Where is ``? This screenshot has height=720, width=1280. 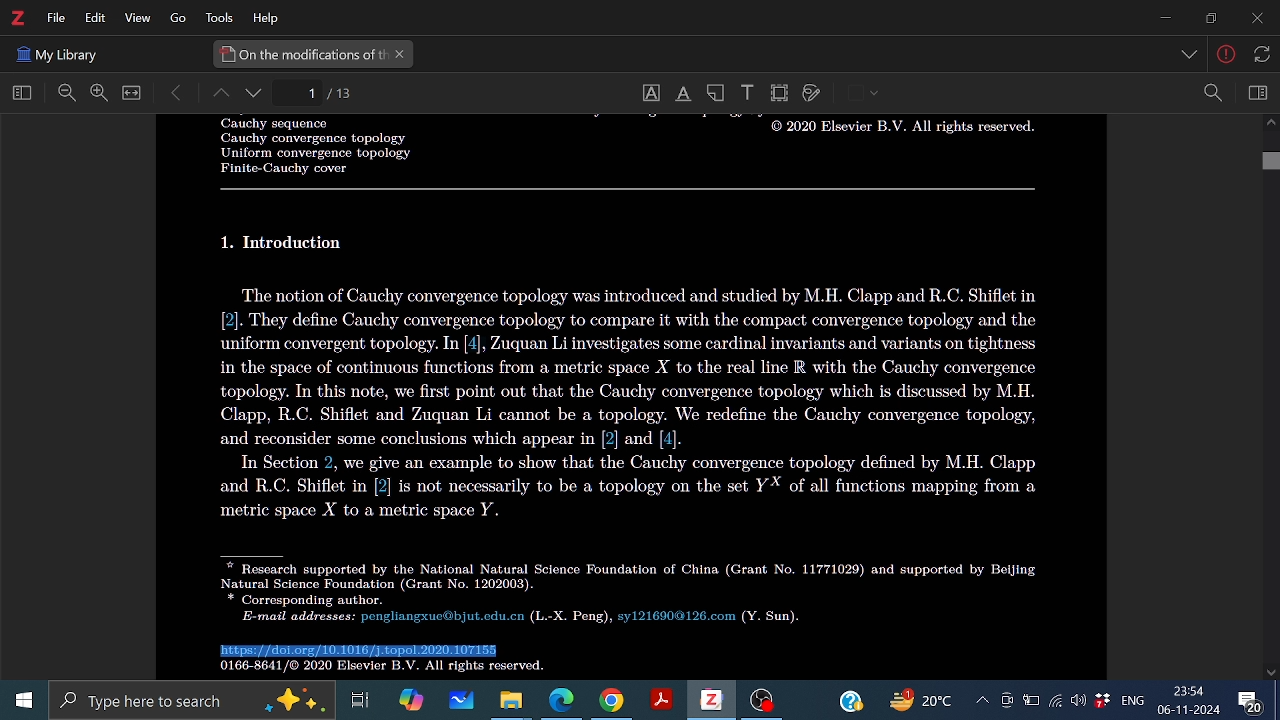  is located at coordinates (1191, 56).